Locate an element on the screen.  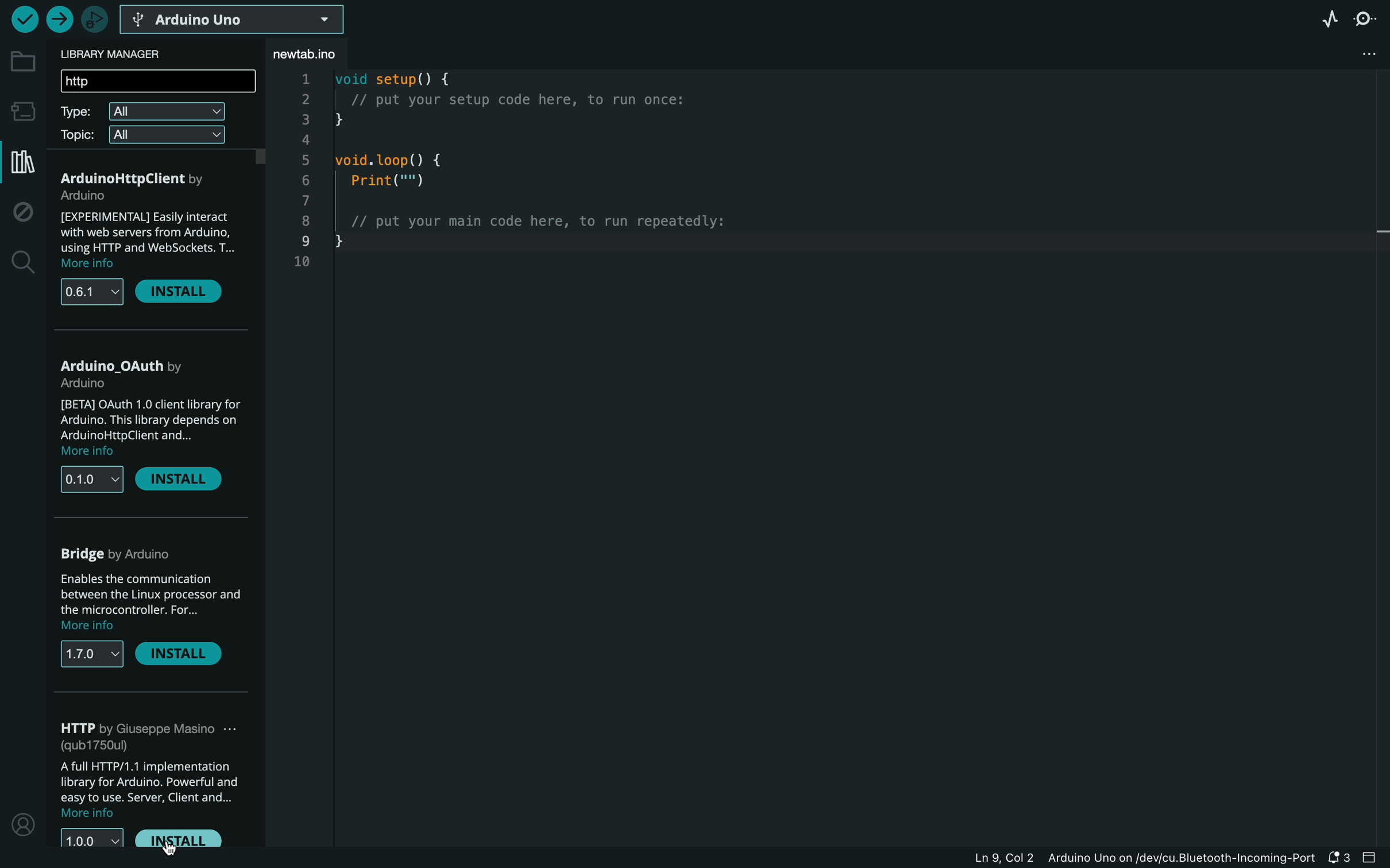
versions is located at coordinates (90, 836).